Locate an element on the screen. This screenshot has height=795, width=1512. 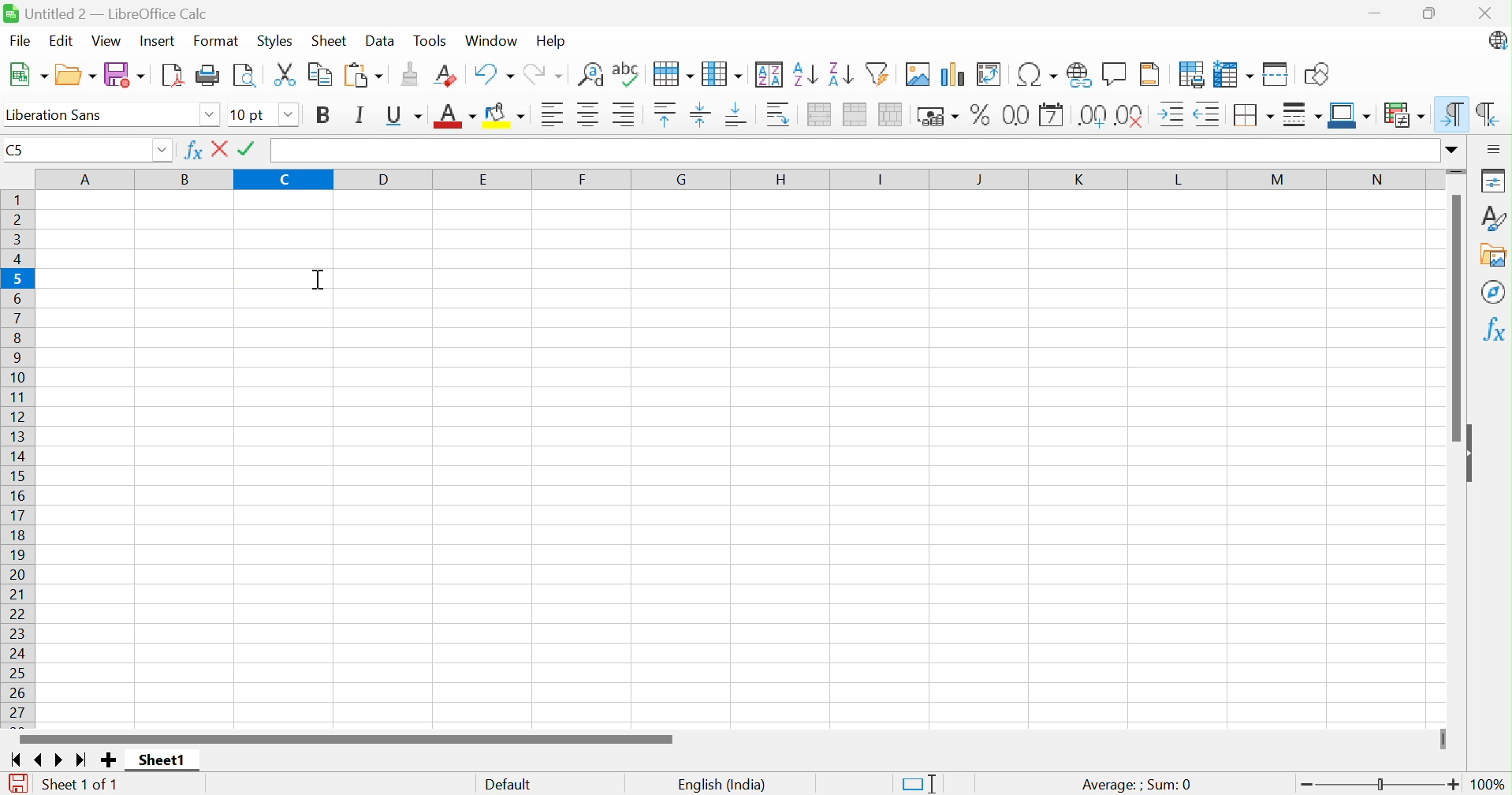
Spelling is located at coordinates (675, 75).